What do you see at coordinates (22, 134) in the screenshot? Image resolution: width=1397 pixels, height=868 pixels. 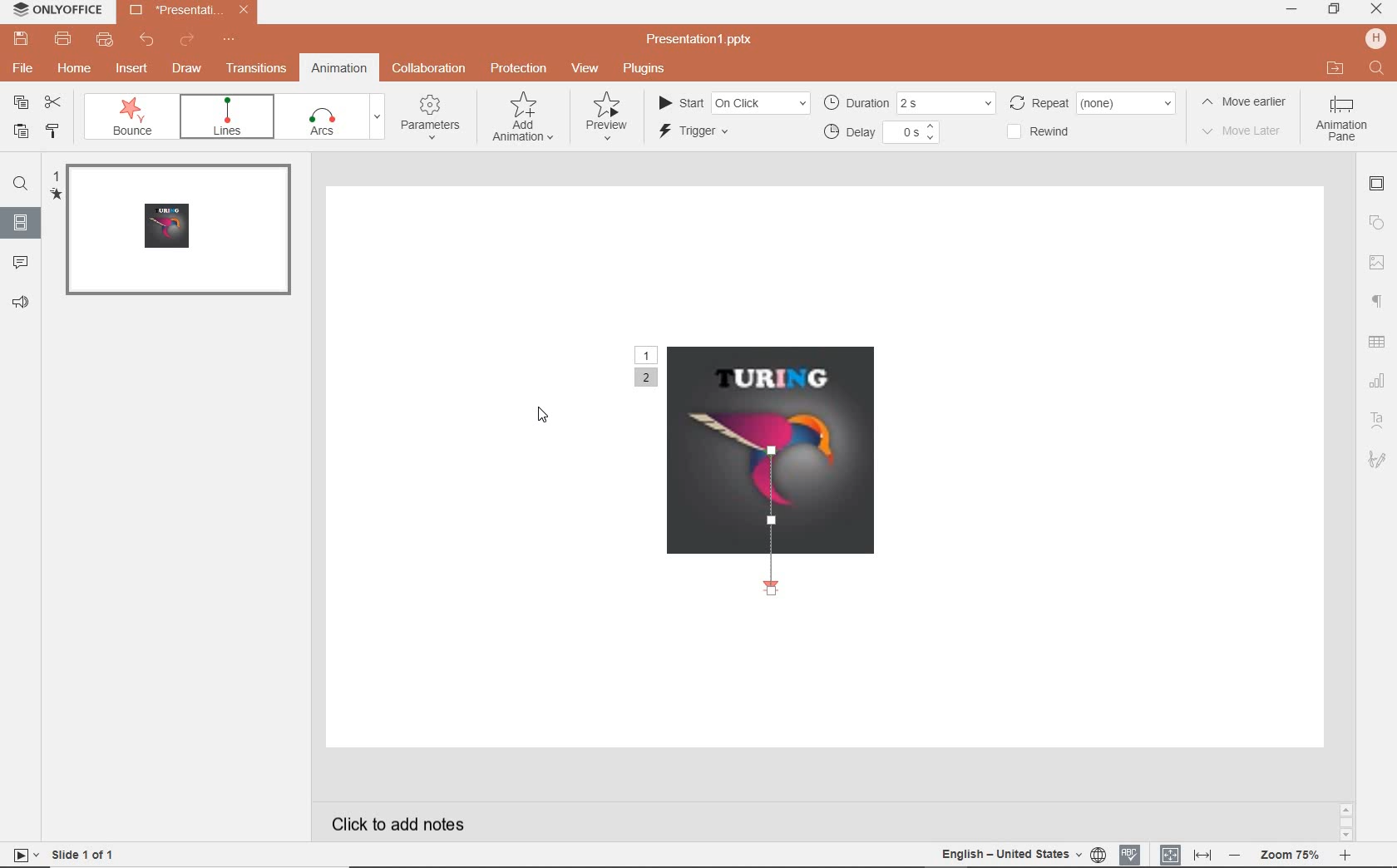 I see `paste` at bounding box center [22, 134].